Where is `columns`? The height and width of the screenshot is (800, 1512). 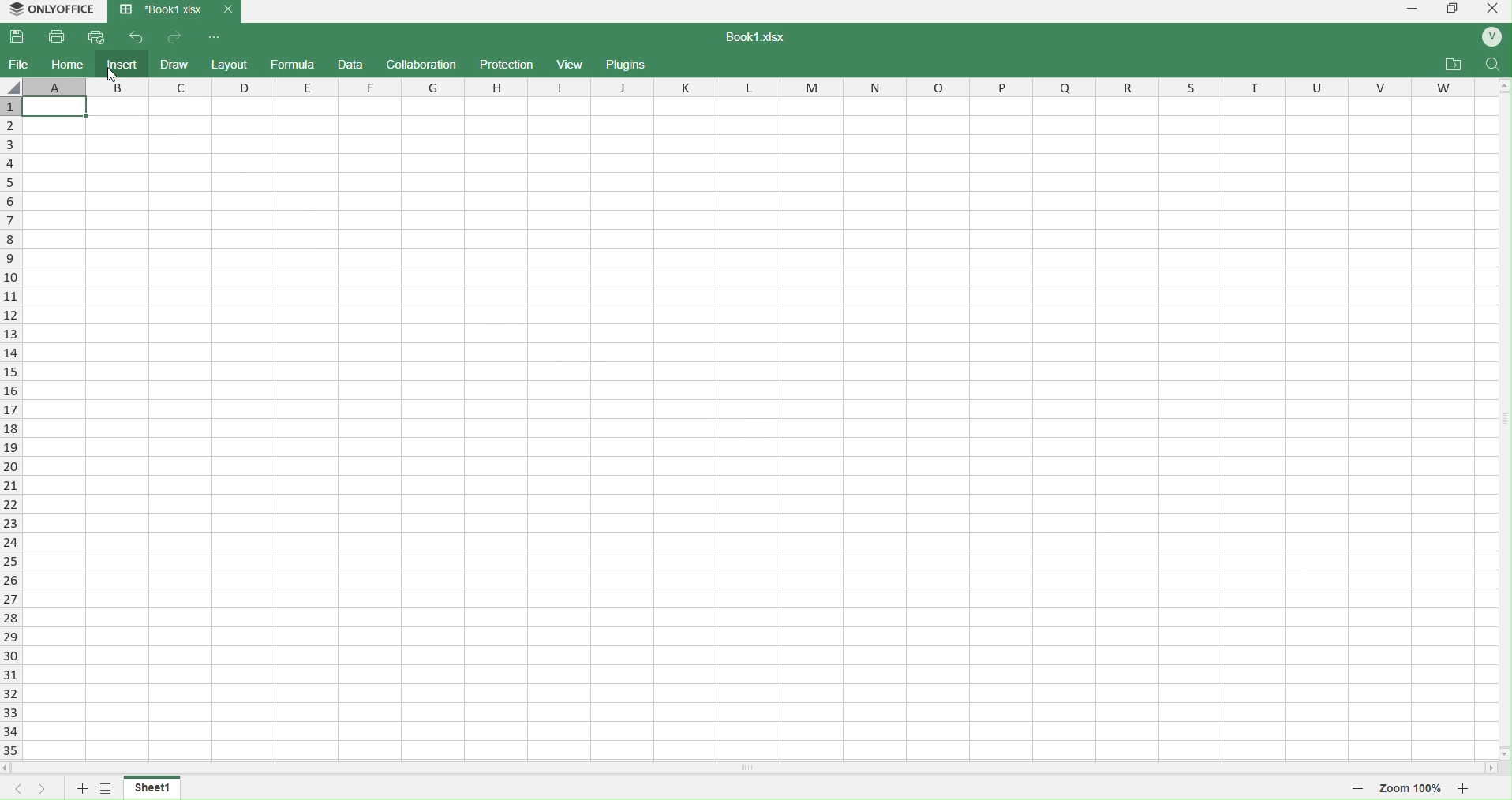
columns is located at coordinates (754, 87).